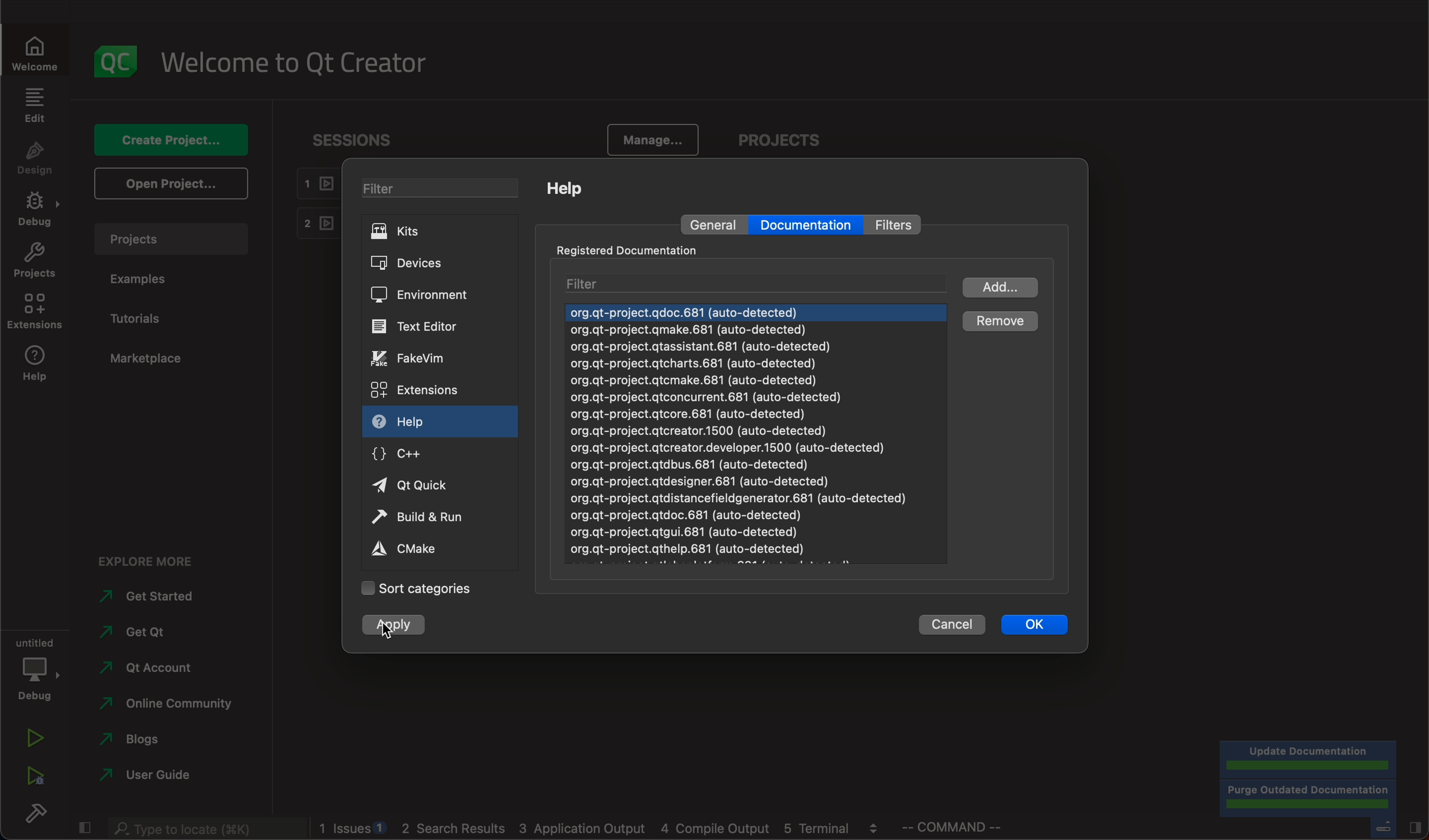 The image size is (1429, 840). I want to click on sessions, so click(357, 141).